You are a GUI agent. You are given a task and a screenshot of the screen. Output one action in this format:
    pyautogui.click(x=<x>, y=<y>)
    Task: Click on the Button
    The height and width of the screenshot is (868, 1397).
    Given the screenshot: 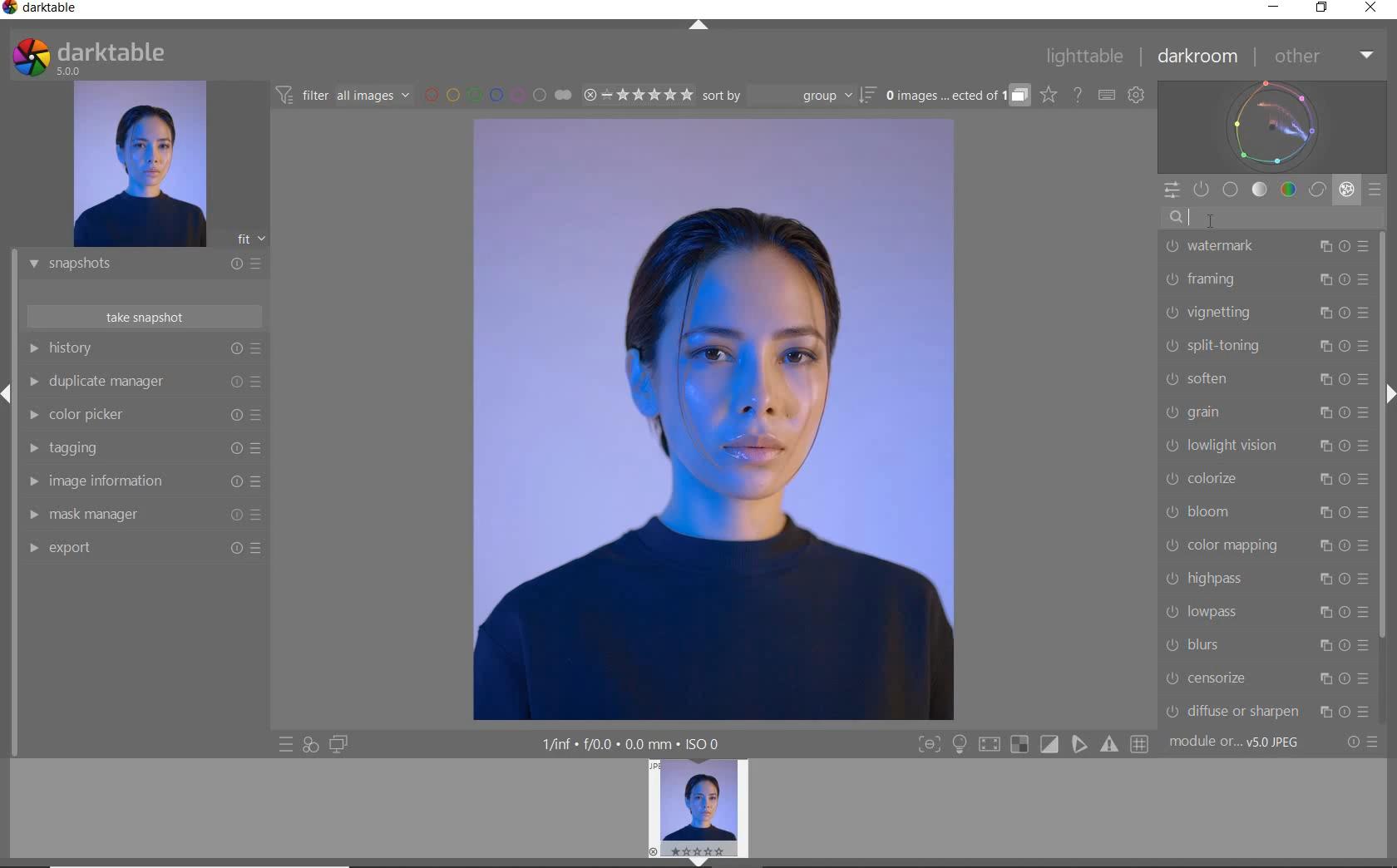 What is the action you would take?
    pyautogui.click(x=1080, y=744)
    